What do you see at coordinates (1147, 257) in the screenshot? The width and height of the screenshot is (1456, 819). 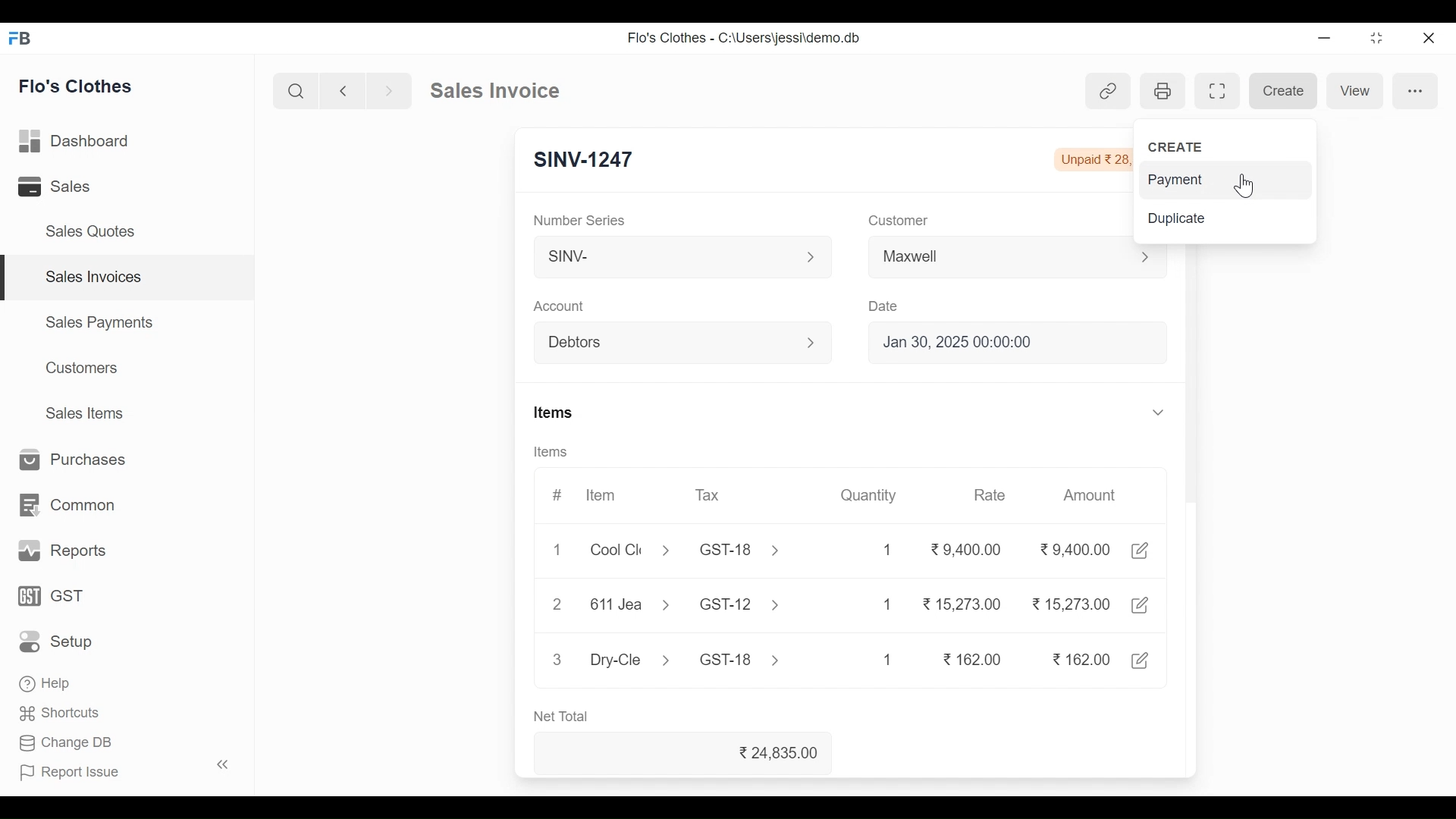 I see `Expand` at bounding box center [1147, 257].